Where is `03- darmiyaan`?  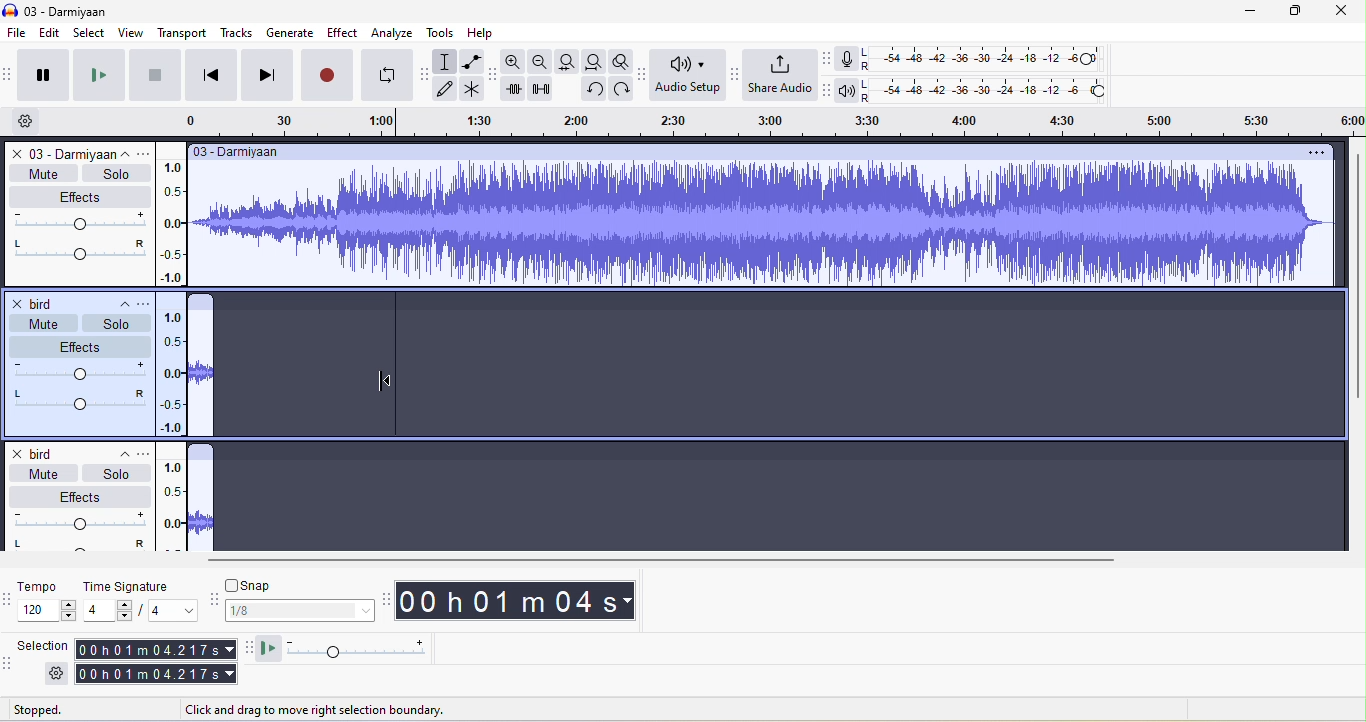
03- darmiyaan is located at coordinates (240, 152).